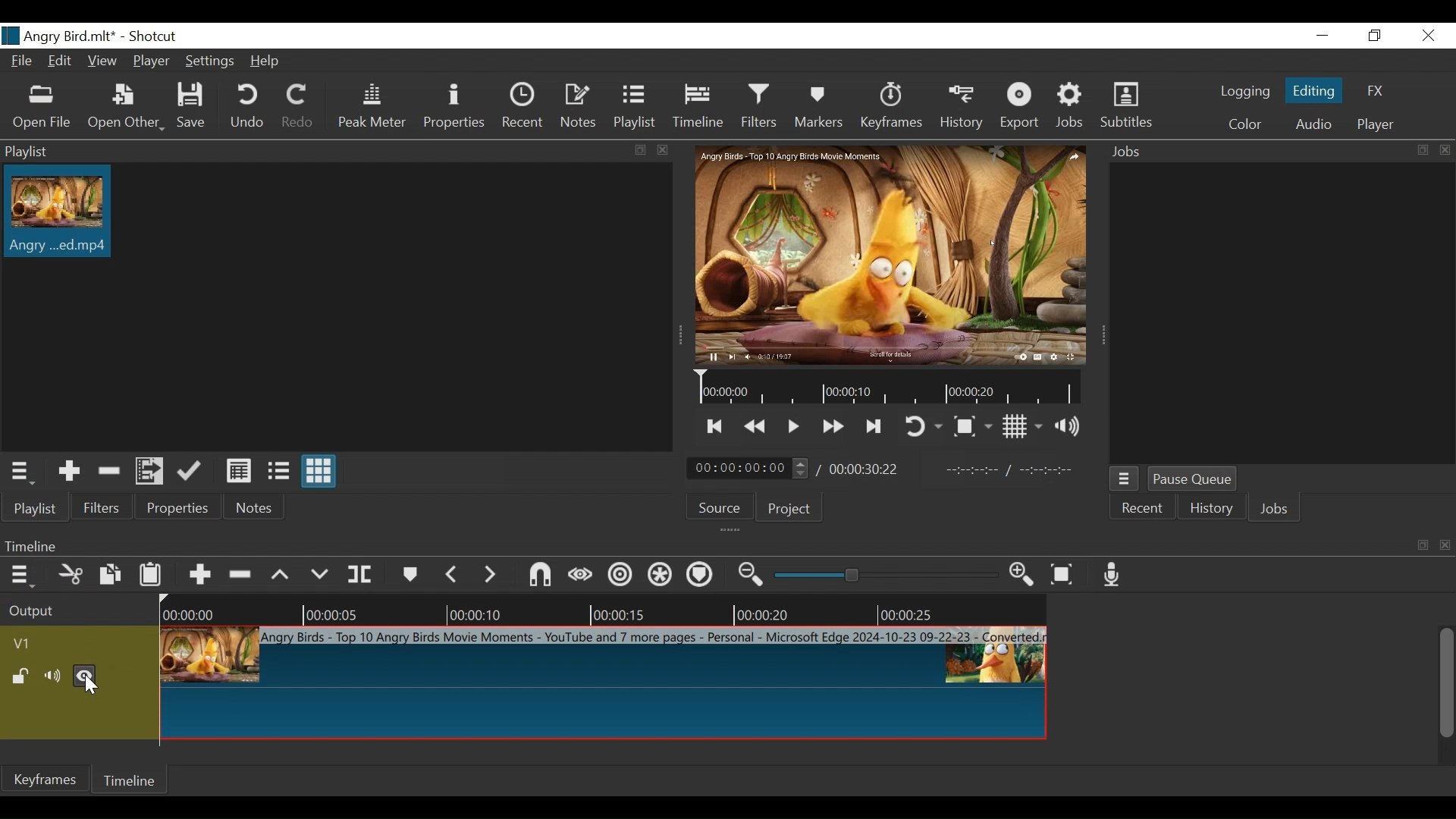  I want to click on player, so click(1376, 124).